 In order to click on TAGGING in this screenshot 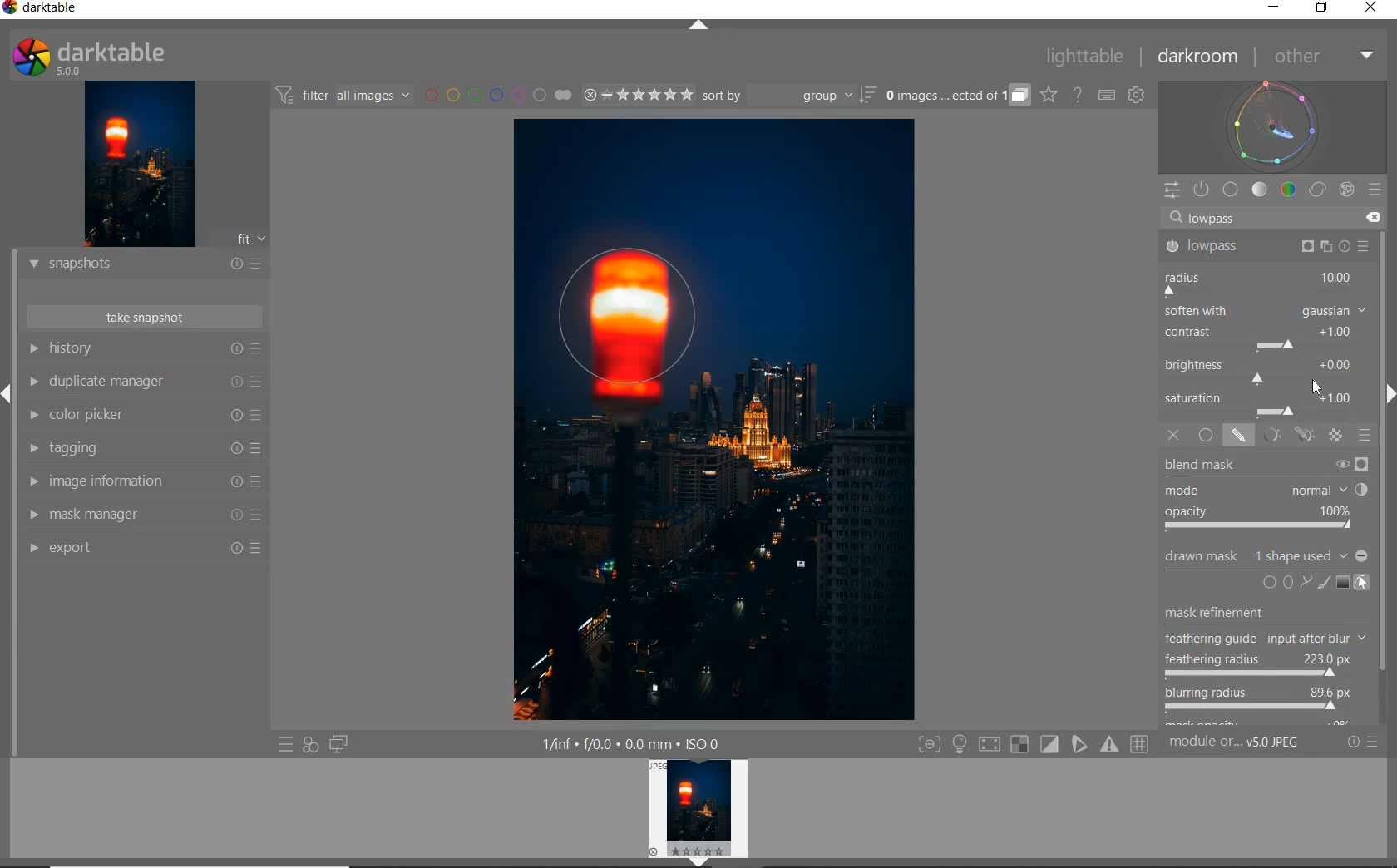, I will do `click(144, 450)`.